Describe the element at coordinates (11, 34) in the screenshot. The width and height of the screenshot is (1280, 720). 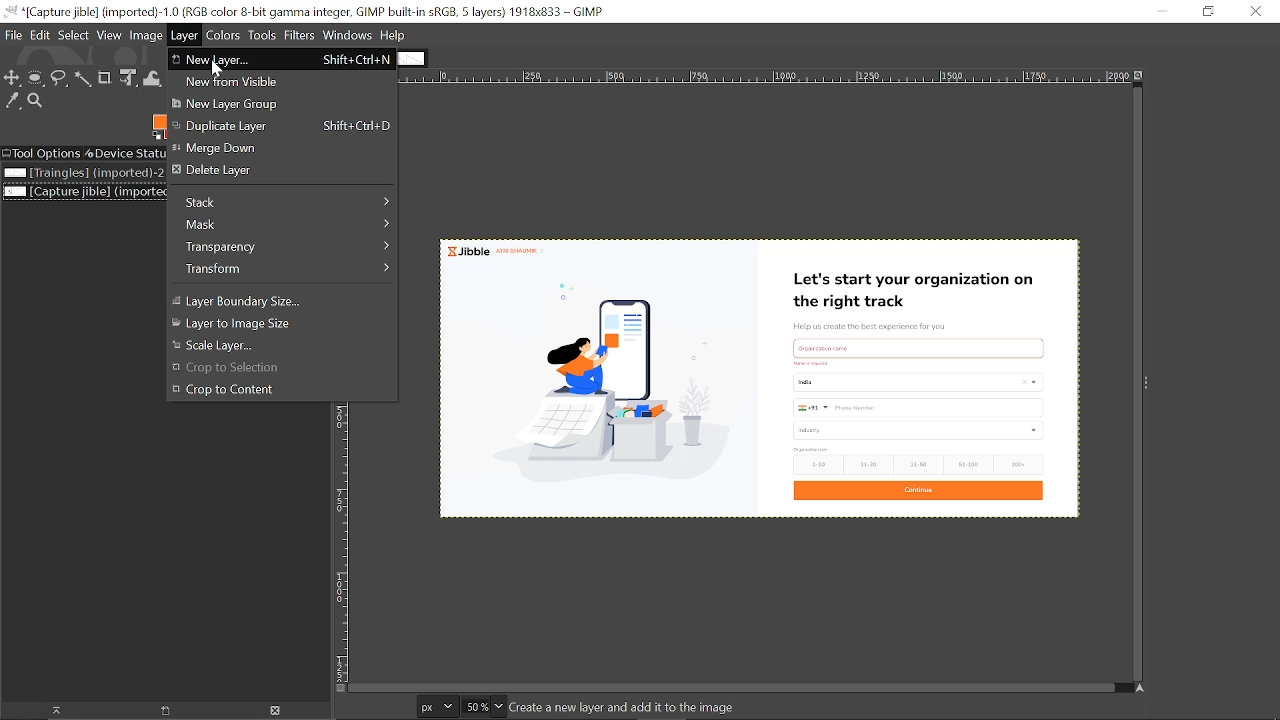
I see `File` at that location.